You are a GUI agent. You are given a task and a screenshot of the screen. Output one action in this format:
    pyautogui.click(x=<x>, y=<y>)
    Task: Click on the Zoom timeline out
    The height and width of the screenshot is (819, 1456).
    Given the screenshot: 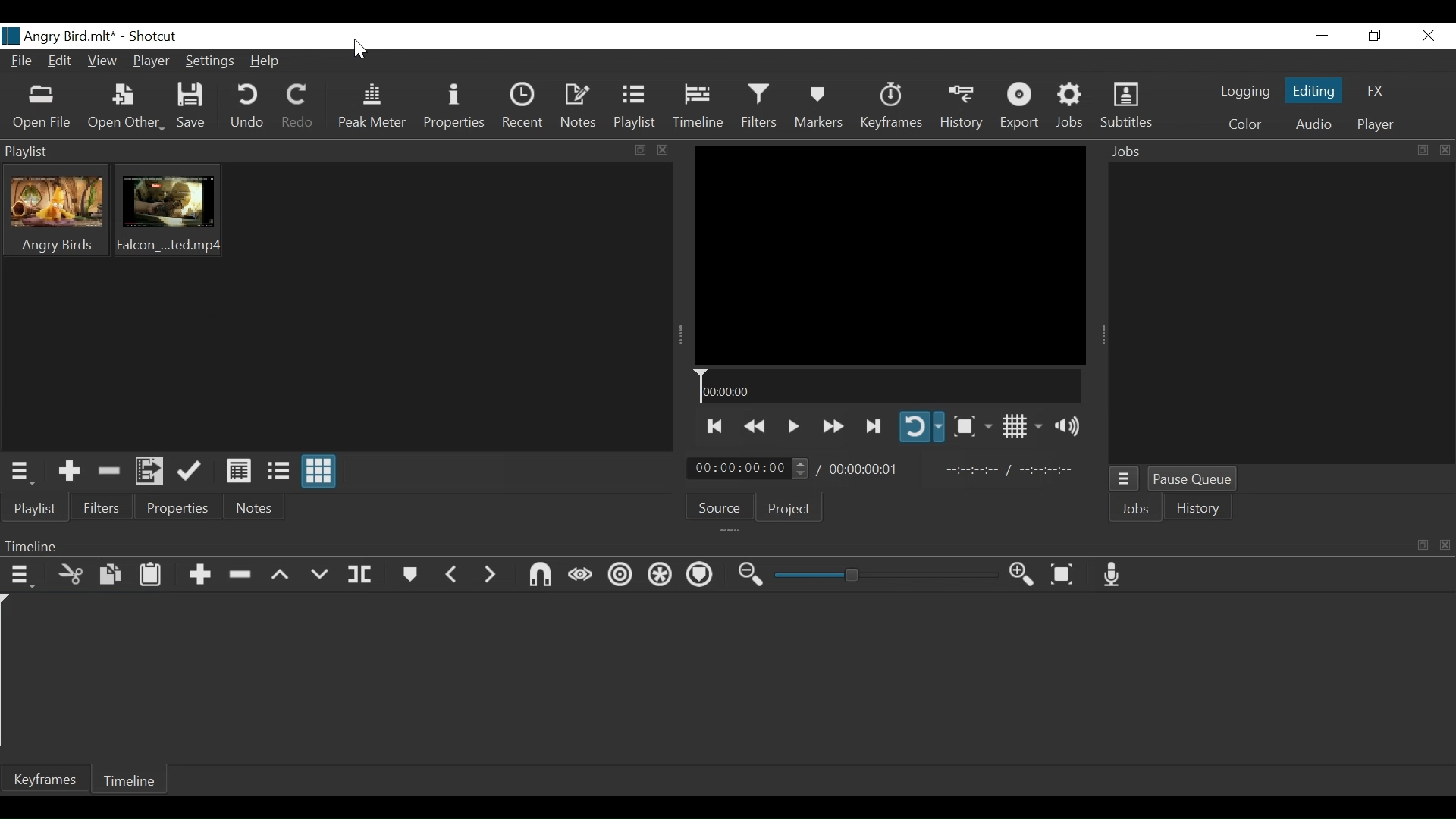 What is the action you would take?
    pyautogui.click(x=750, y=576)
    